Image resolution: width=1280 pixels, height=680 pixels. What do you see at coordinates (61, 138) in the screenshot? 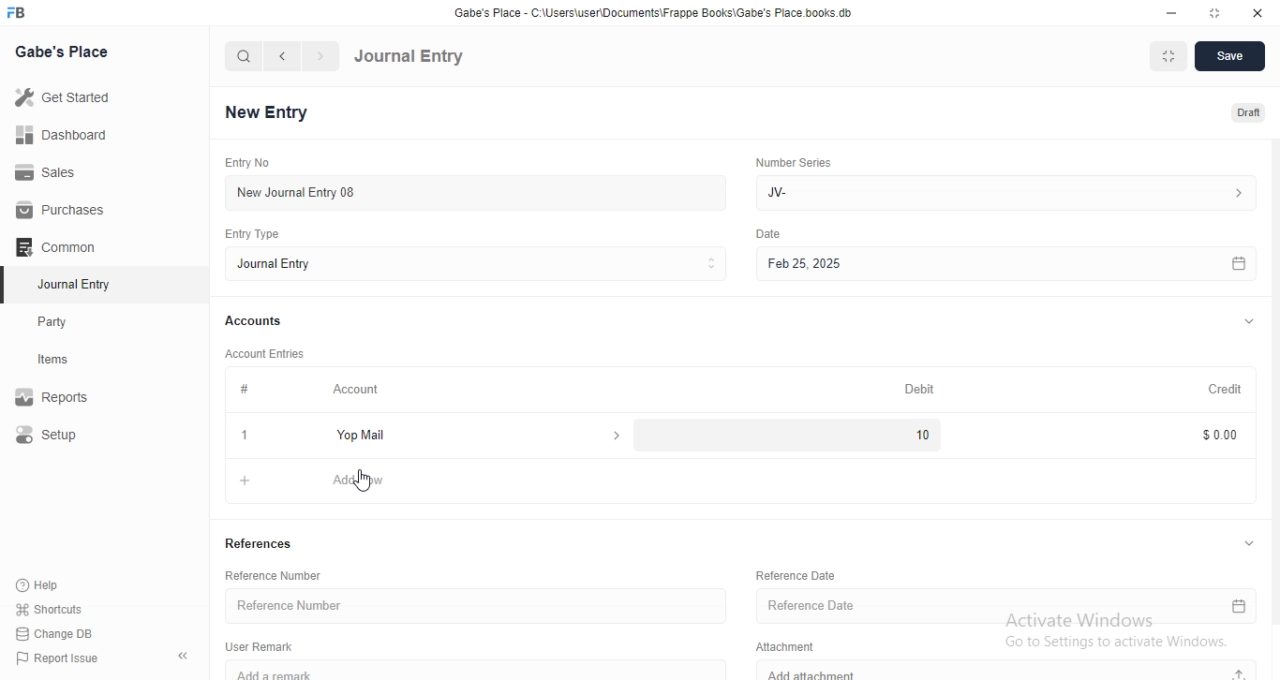
I see `Dashboard` at bounding box center [61, 138].